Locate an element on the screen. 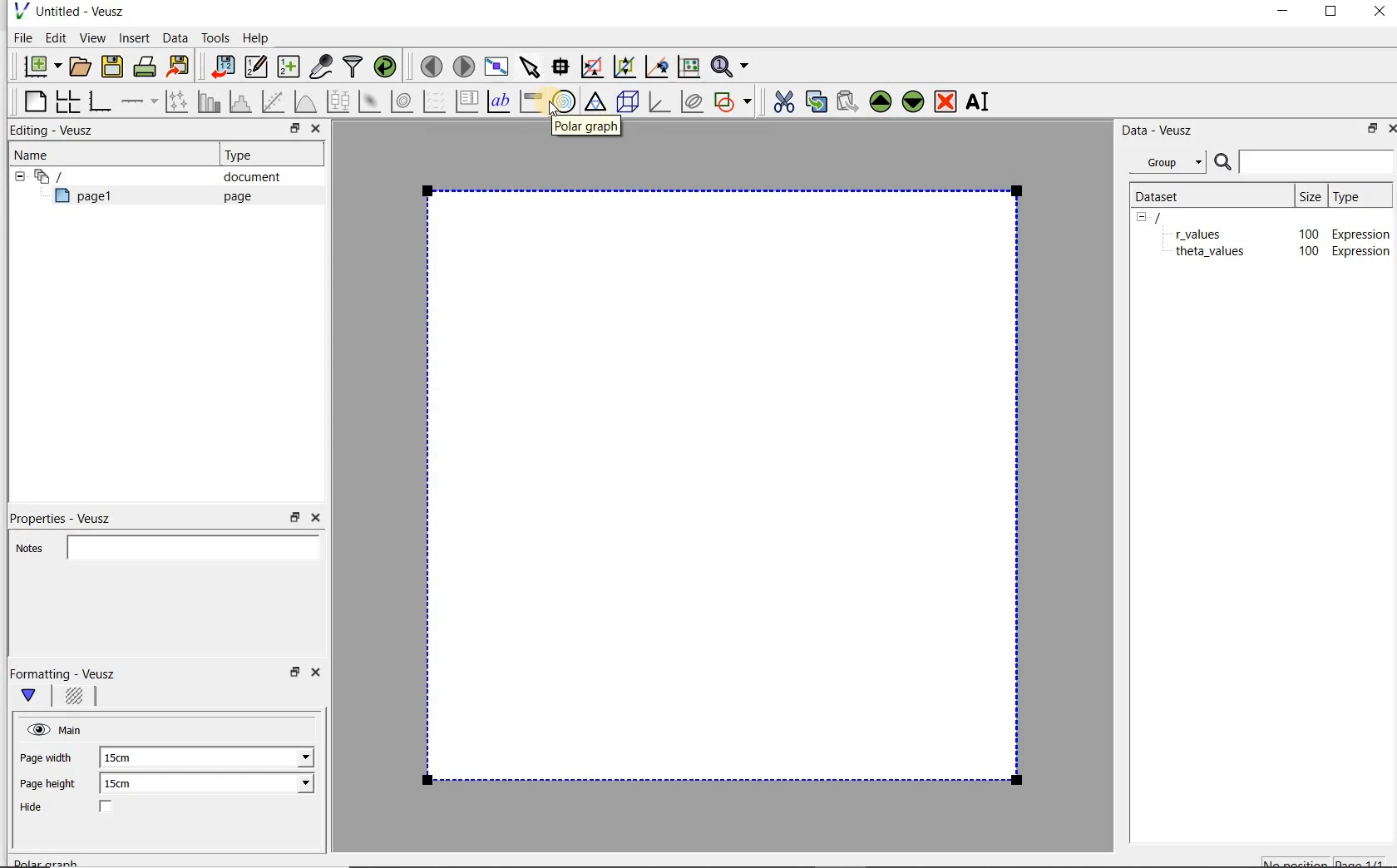 The width and height of the screenshot is (1397, 868). plot covariance ellipses is located at coordinates (693, 101).